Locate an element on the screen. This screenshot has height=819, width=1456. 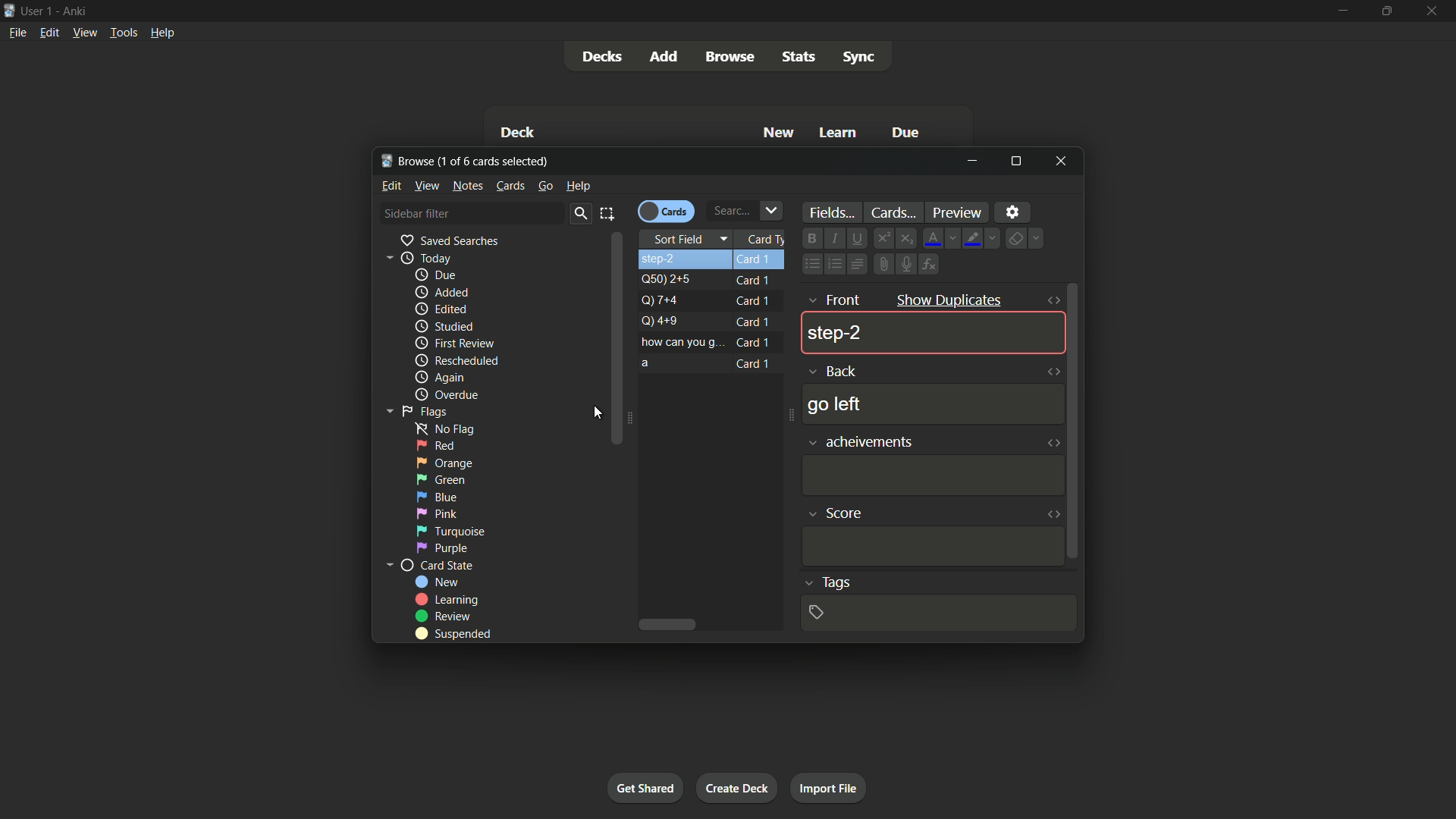
Edit menu is located at coordinates (49, 34).